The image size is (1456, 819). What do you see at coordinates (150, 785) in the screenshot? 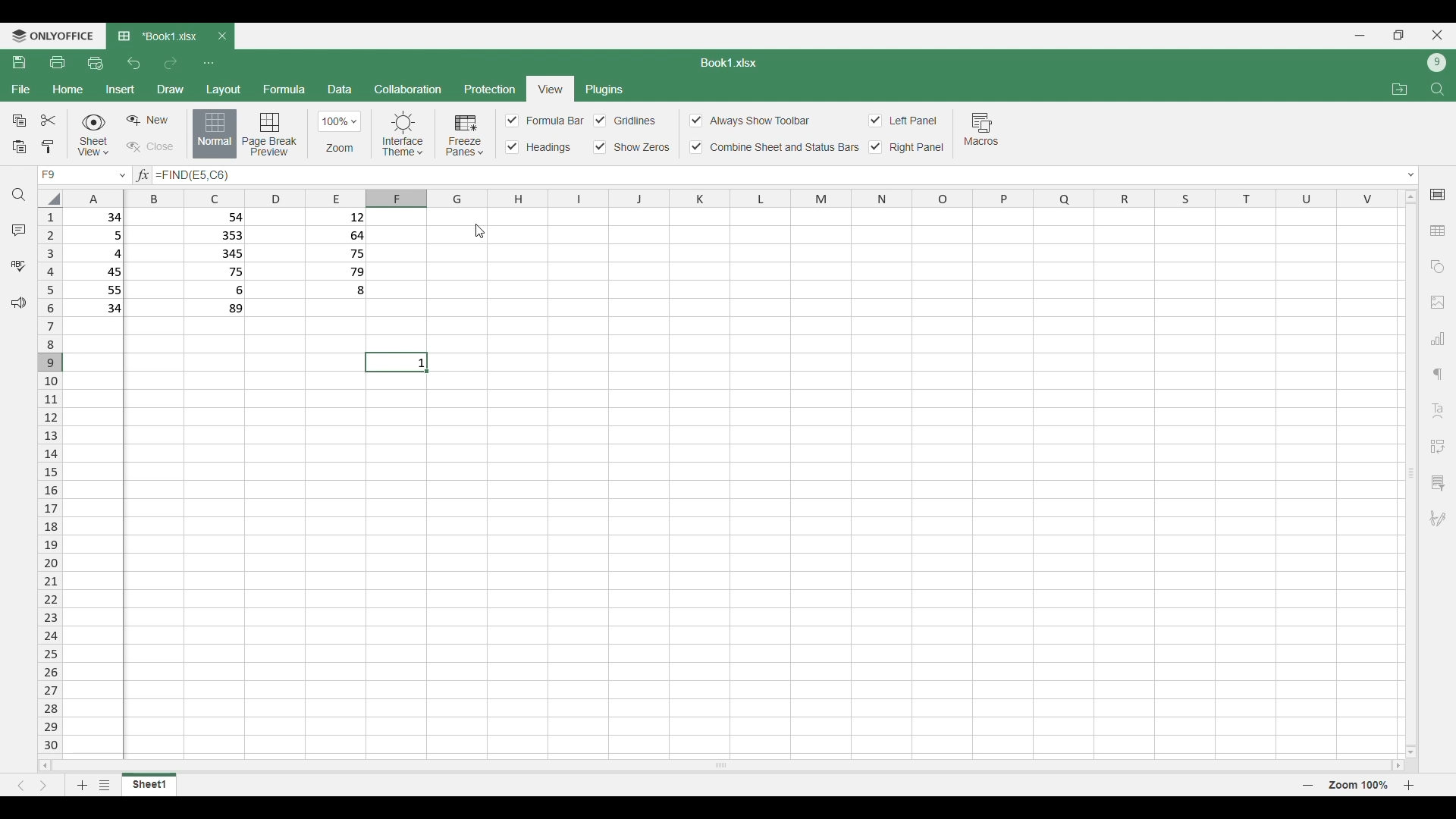
I see `Current sheet` at bounding box center [150, 785].